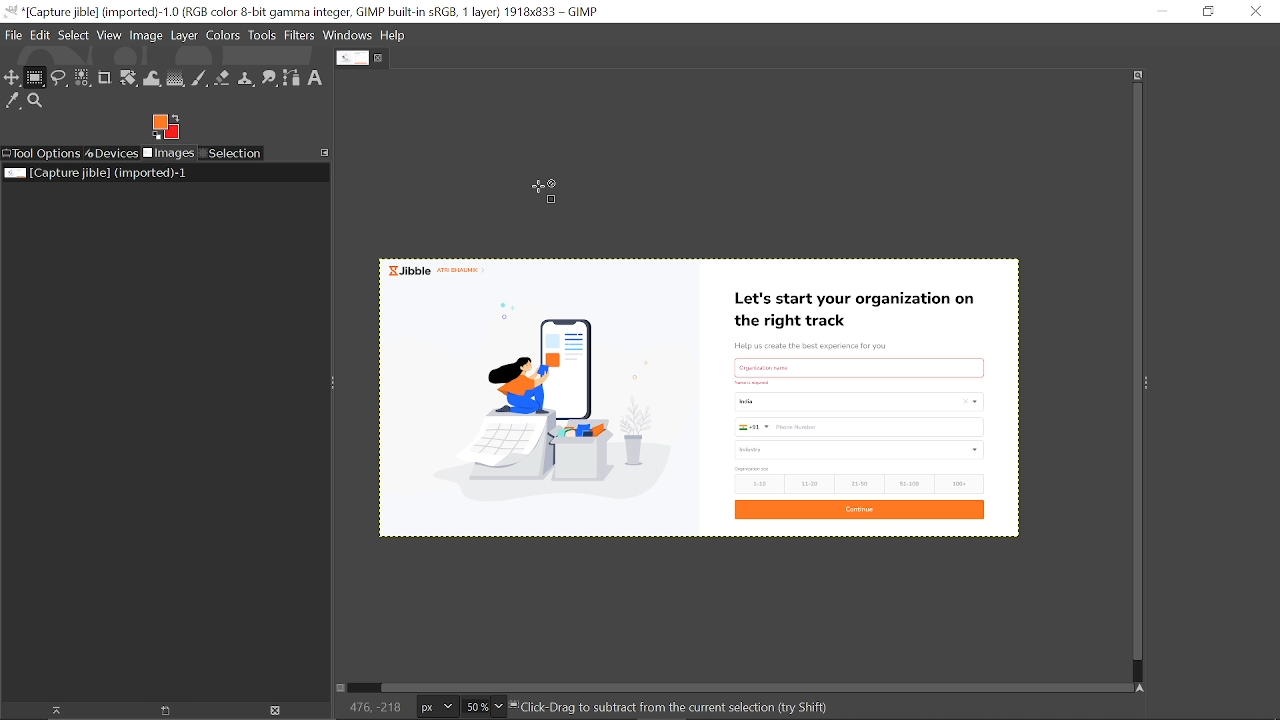  I want to click on Layer, so click(185, 36).